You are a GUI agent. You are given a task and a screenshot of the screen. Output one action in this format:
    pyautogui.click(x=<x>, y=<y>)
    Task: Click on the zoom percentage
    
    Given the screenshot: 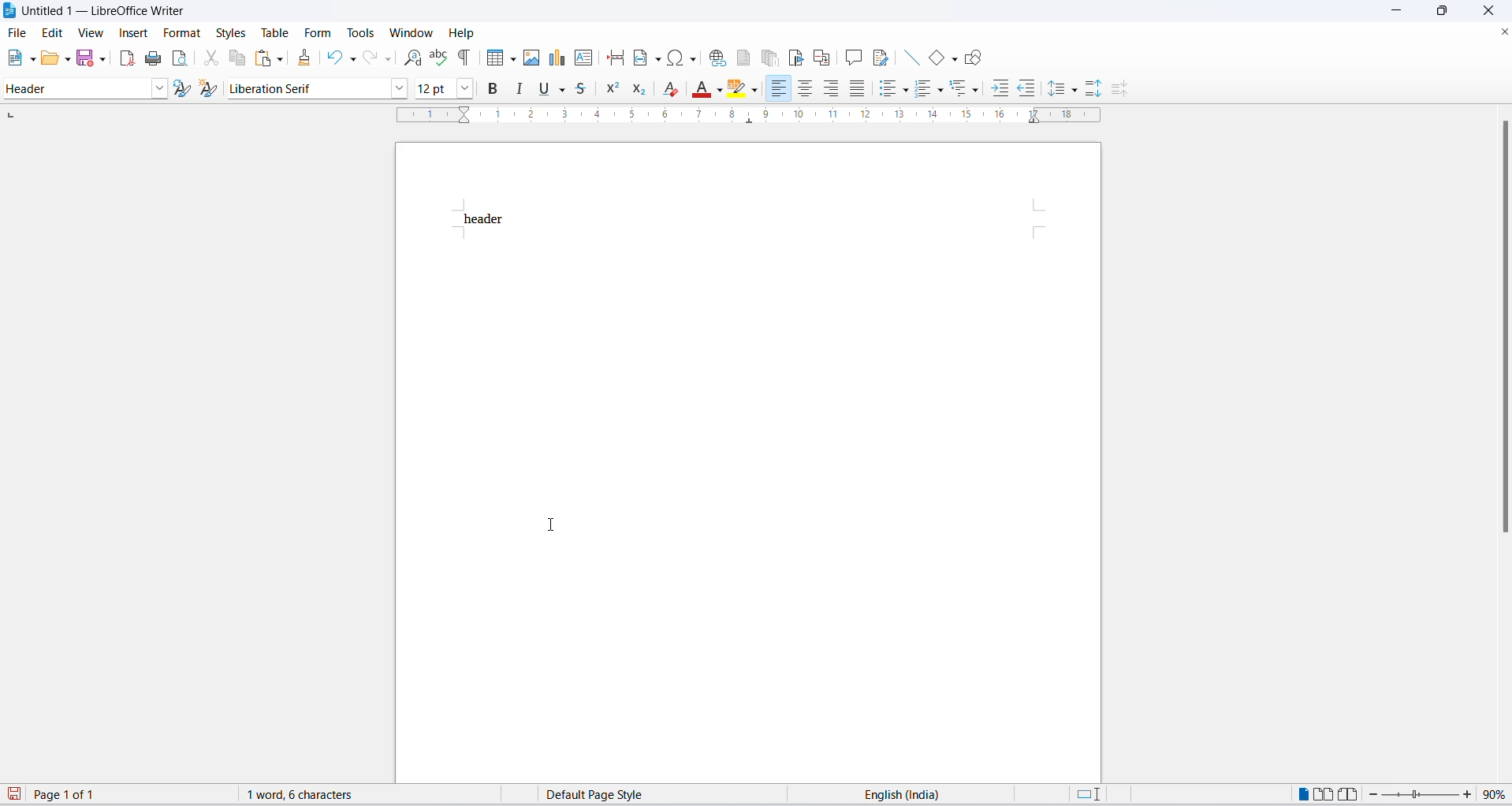 What is the action you would take?
    pyautogui.click(x=1497, y=794)
    